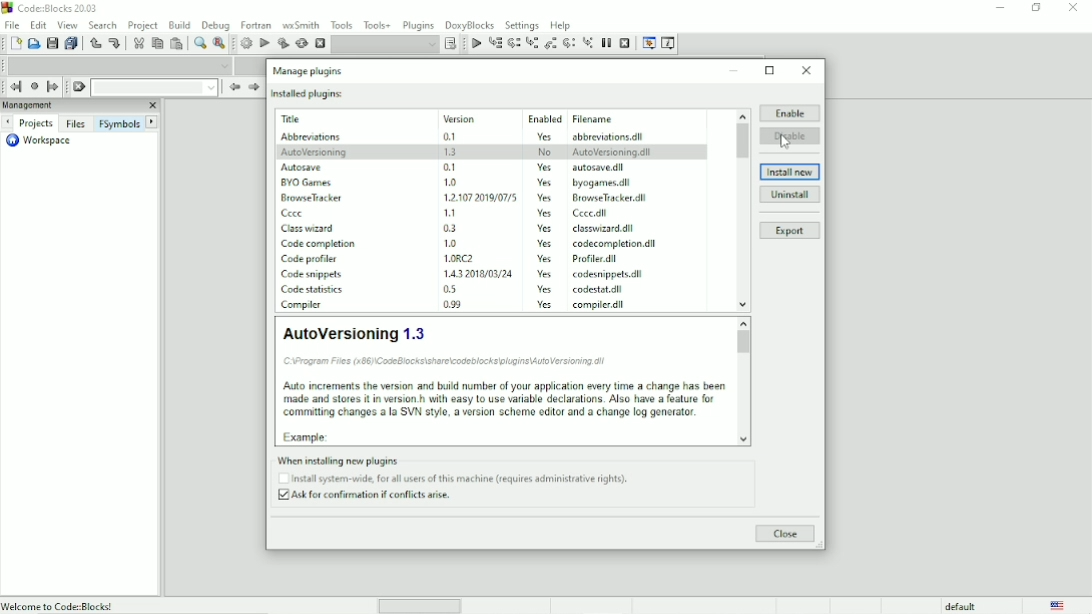 This screenshot has height=614, width=1092. I want to click on Version, so click(462, 119).